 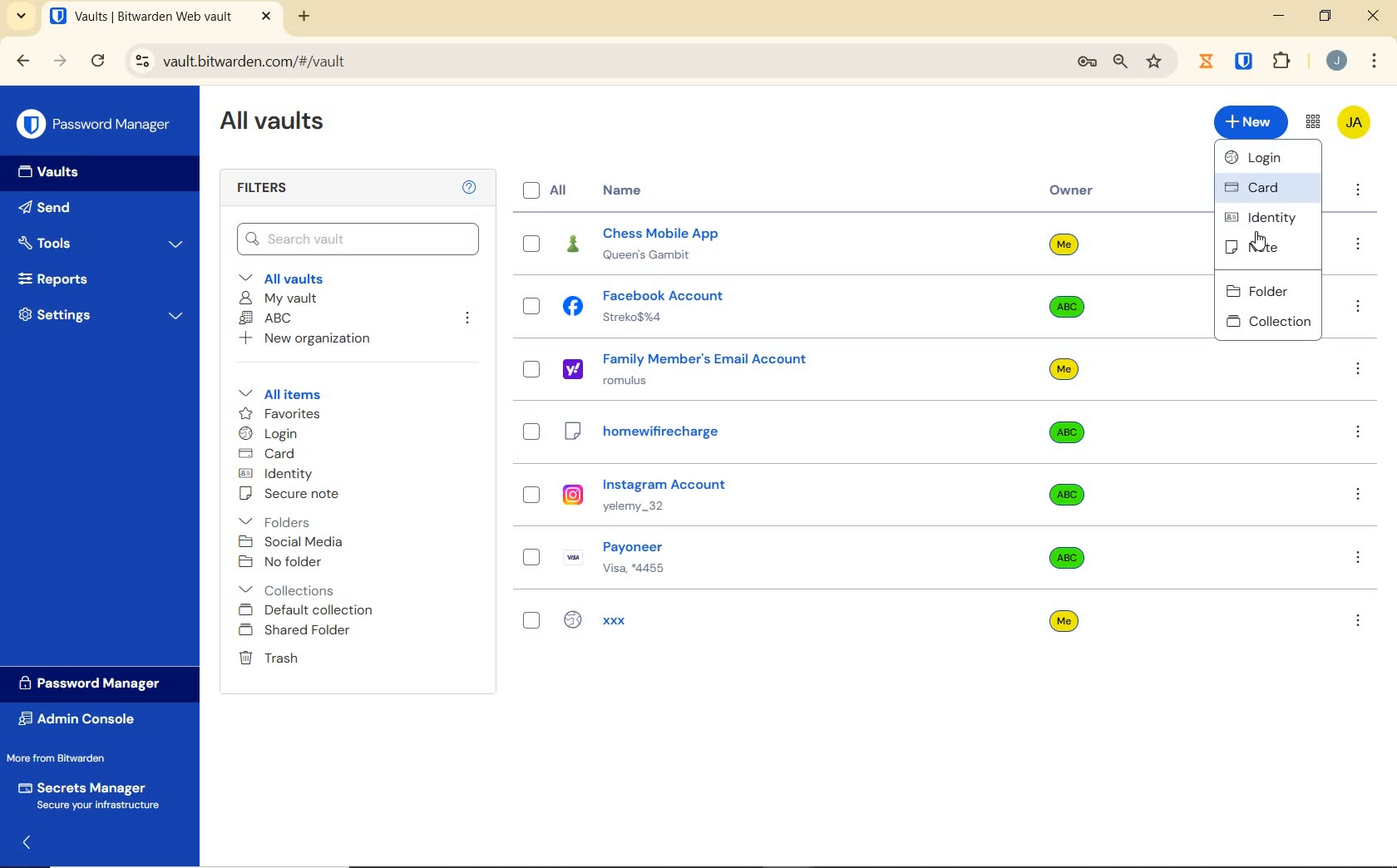 What do you see at coordinates (1268, 321) in the screenshot?
I see `collection` at bounding box center [1268, 321].